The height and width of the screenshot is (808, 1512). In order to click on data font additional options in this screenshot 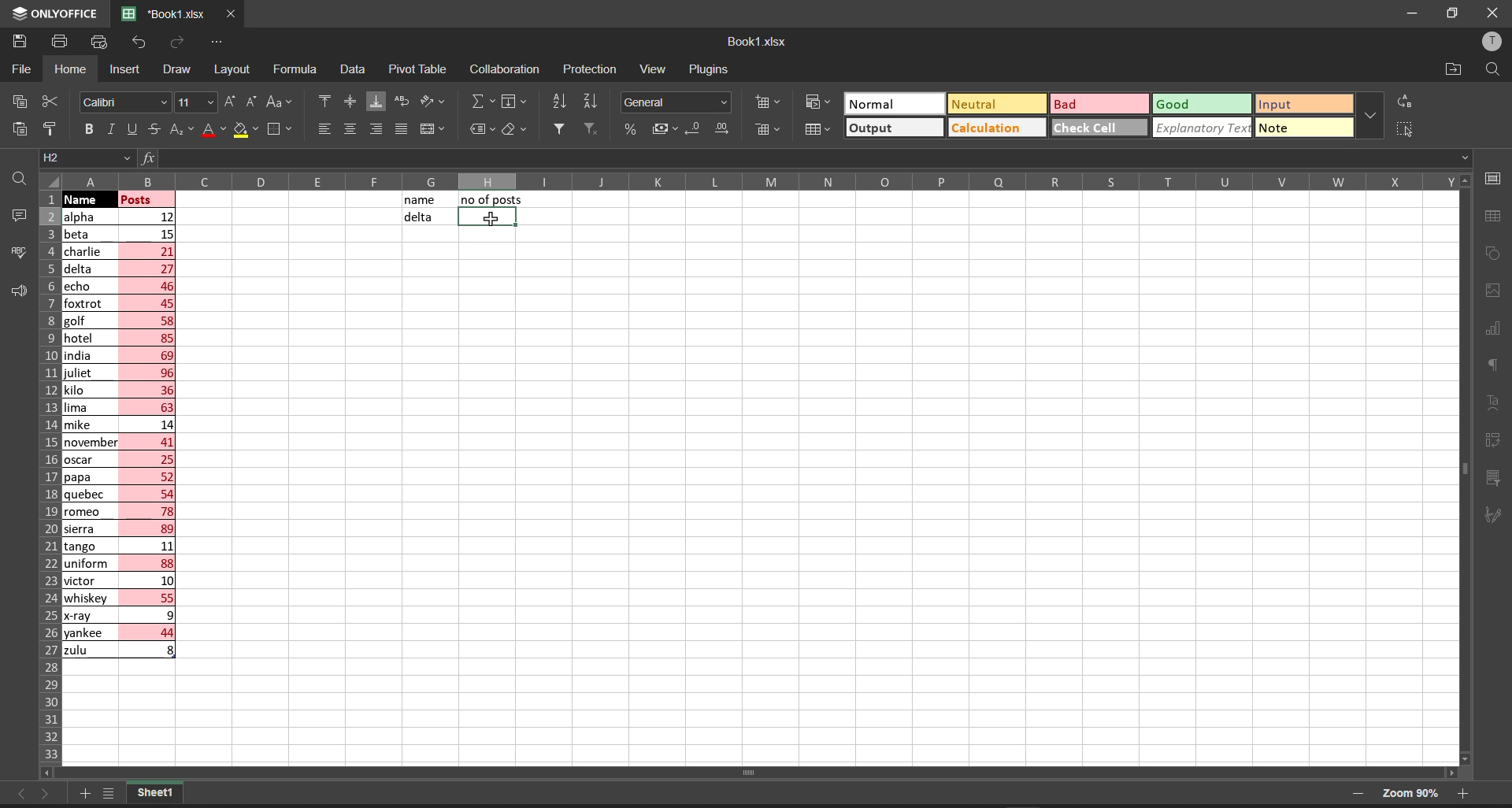, I will do `click(1369, 112)`.